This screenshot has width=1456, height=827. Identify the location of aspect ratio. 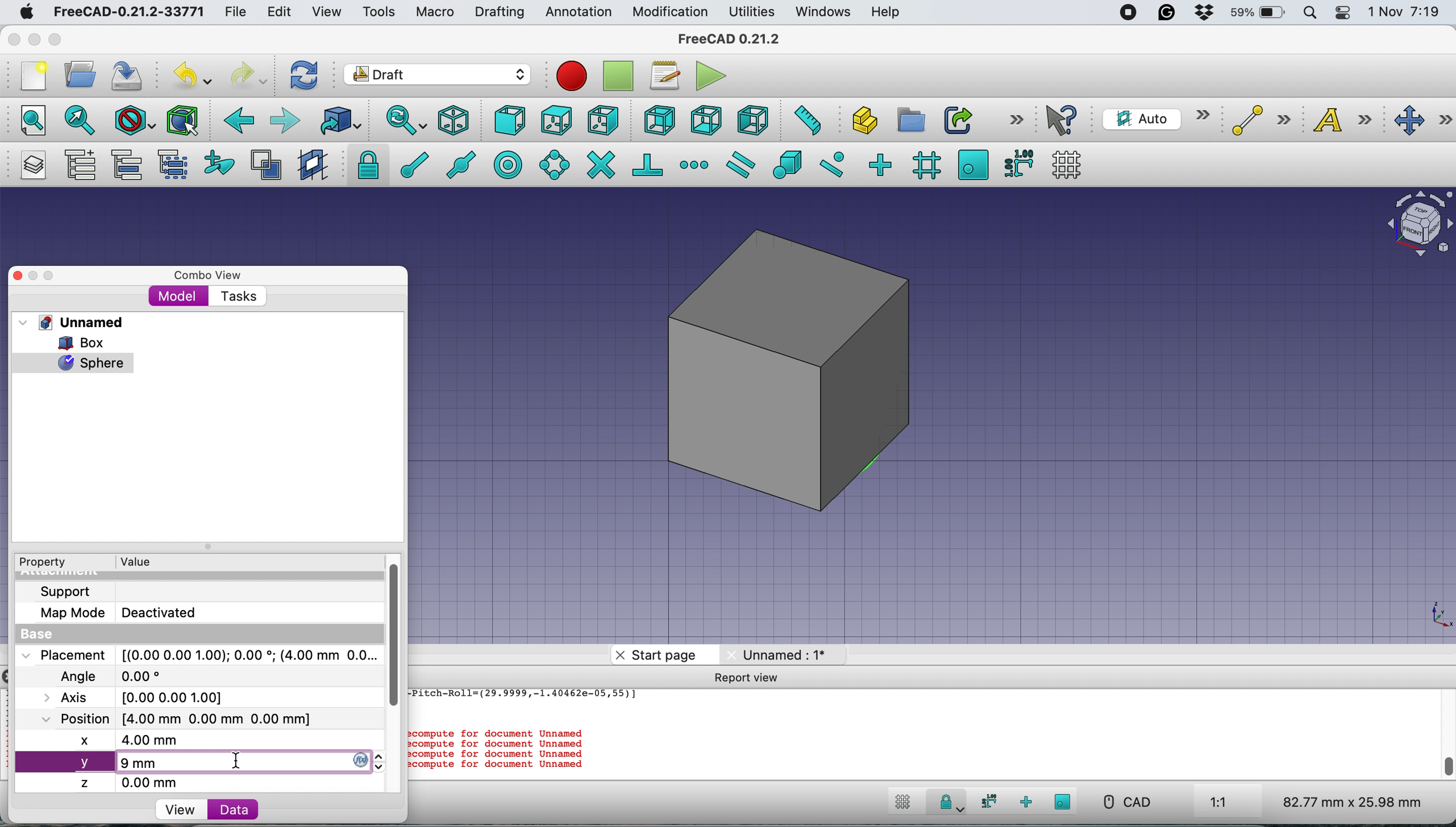
(1219, 803).